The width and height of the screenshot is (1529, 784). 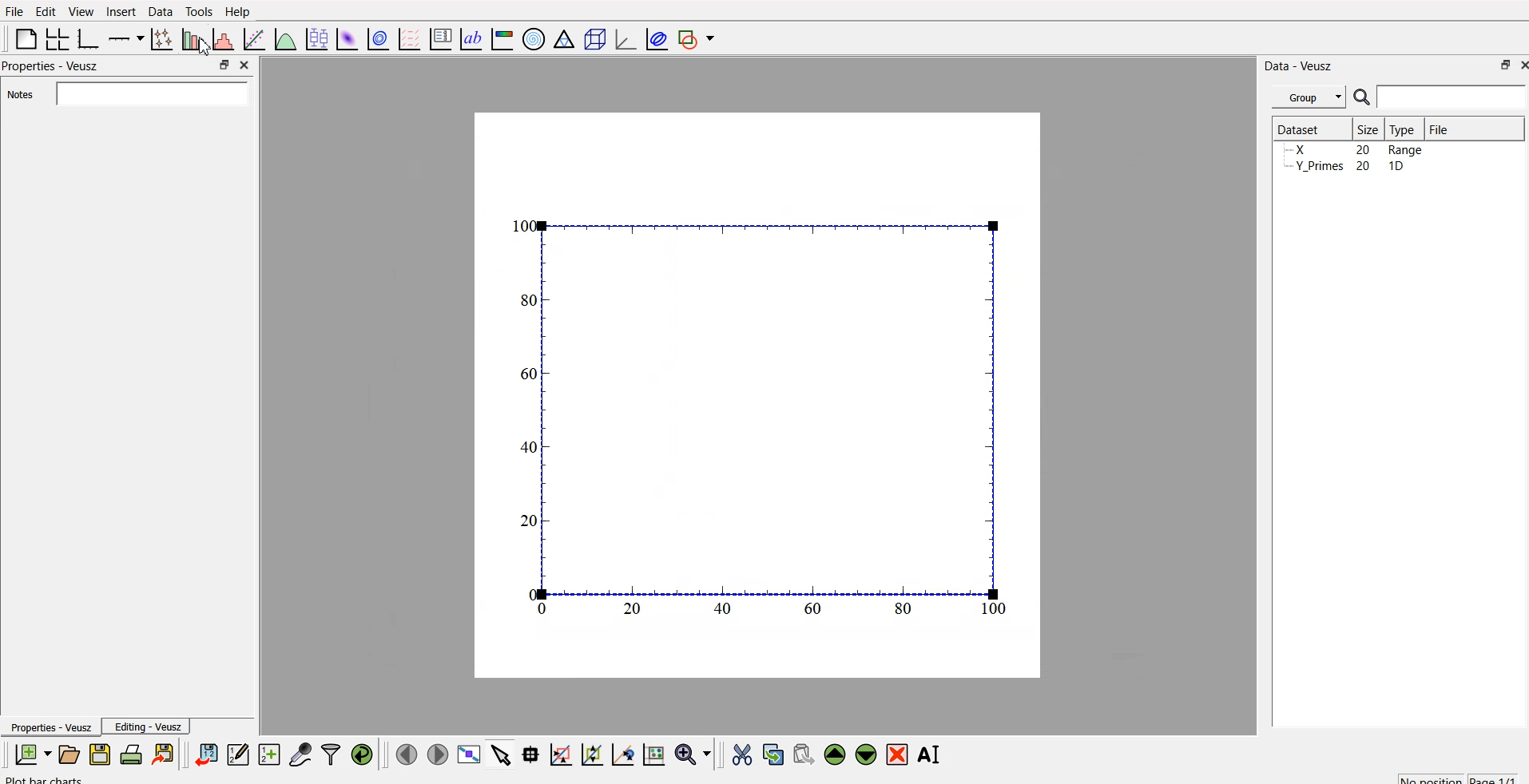 I want to click on plot function, so click(x=284, y=39).